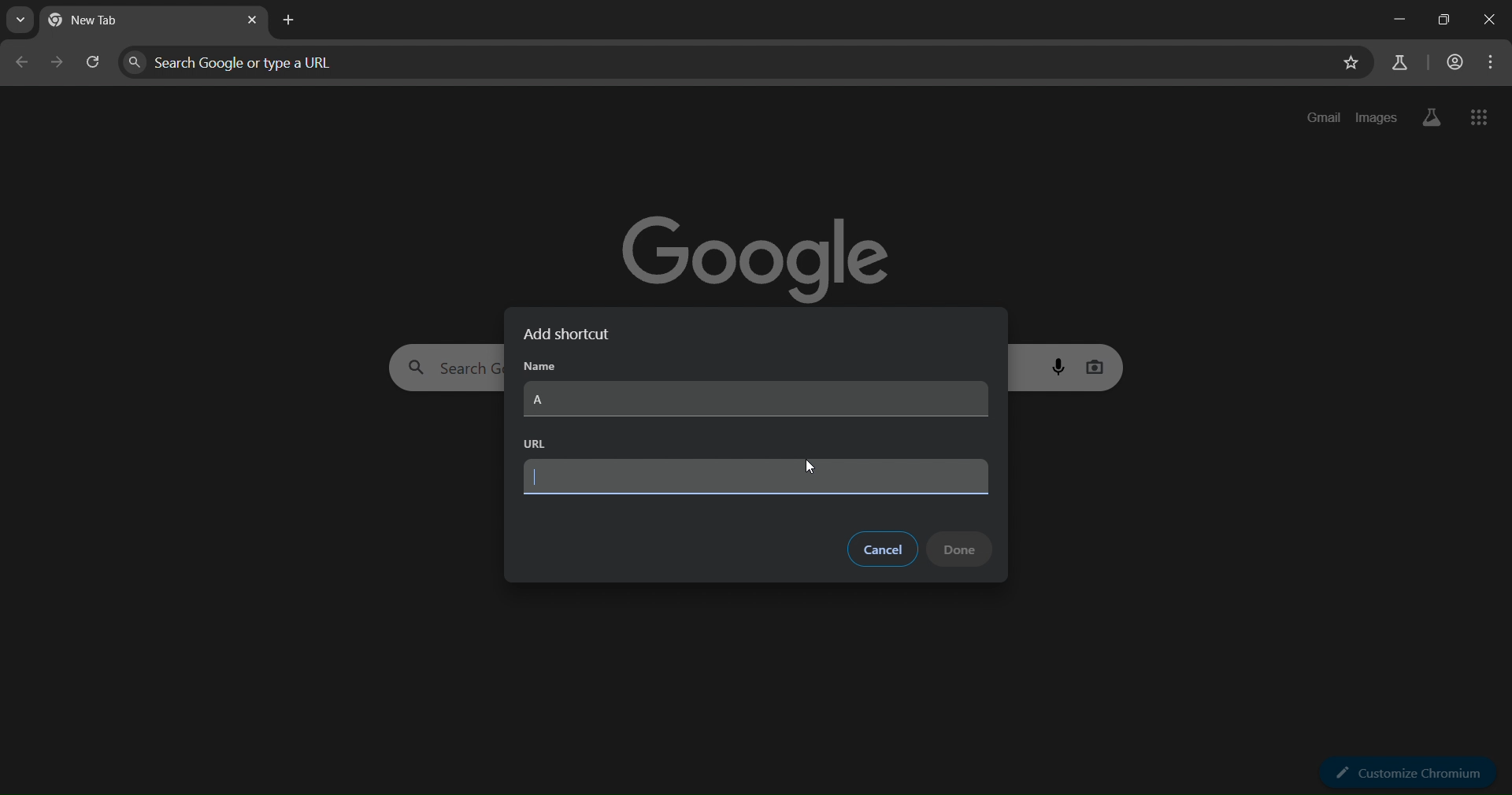 This screenshot has width=1512, height=795. What do you see at coordinates (961, 549) in the screenshot?
I see `done` at bounding box center [961, 549].